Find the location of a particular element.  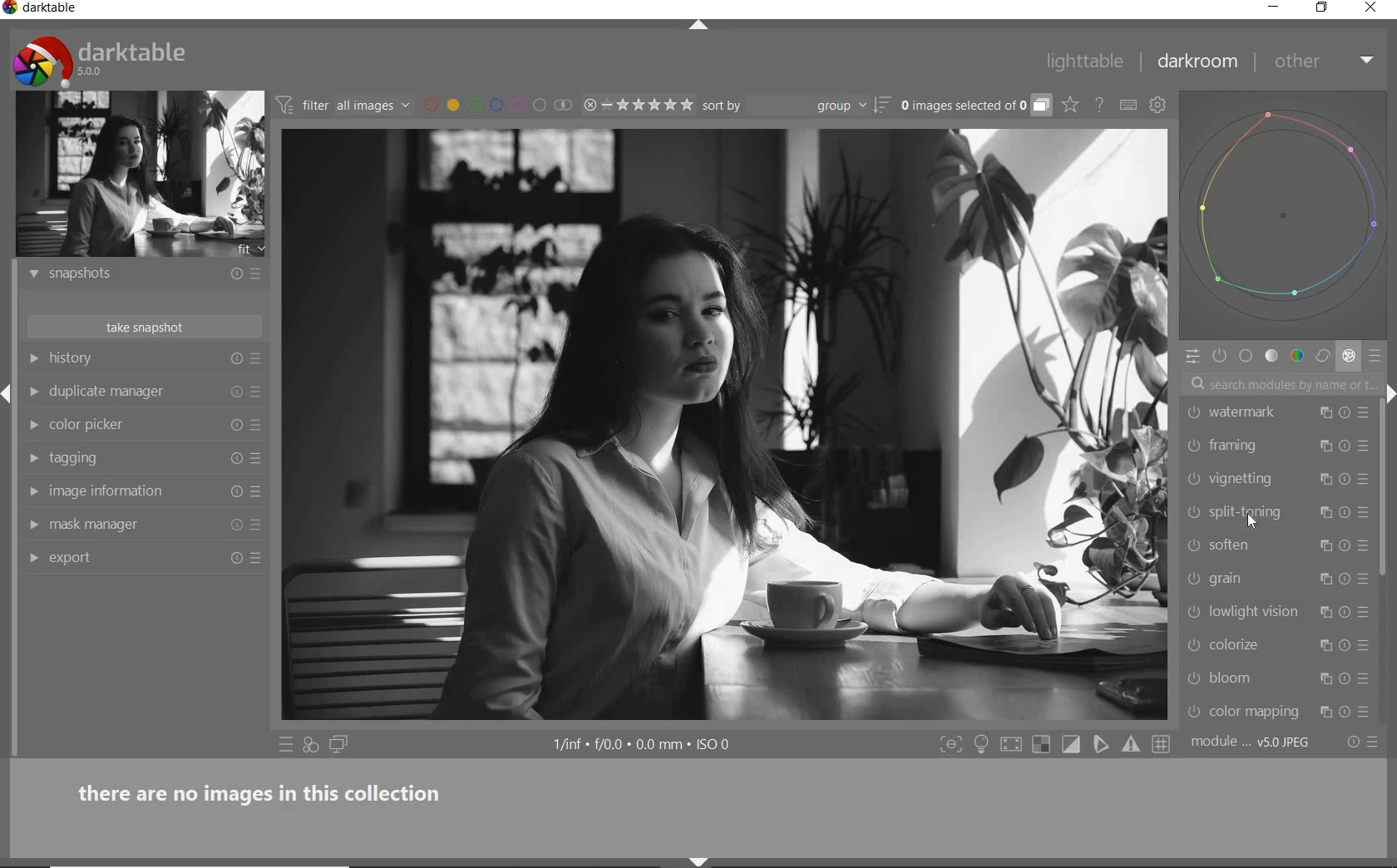

shift+ctrl+f is located at coordinates (951, 745).